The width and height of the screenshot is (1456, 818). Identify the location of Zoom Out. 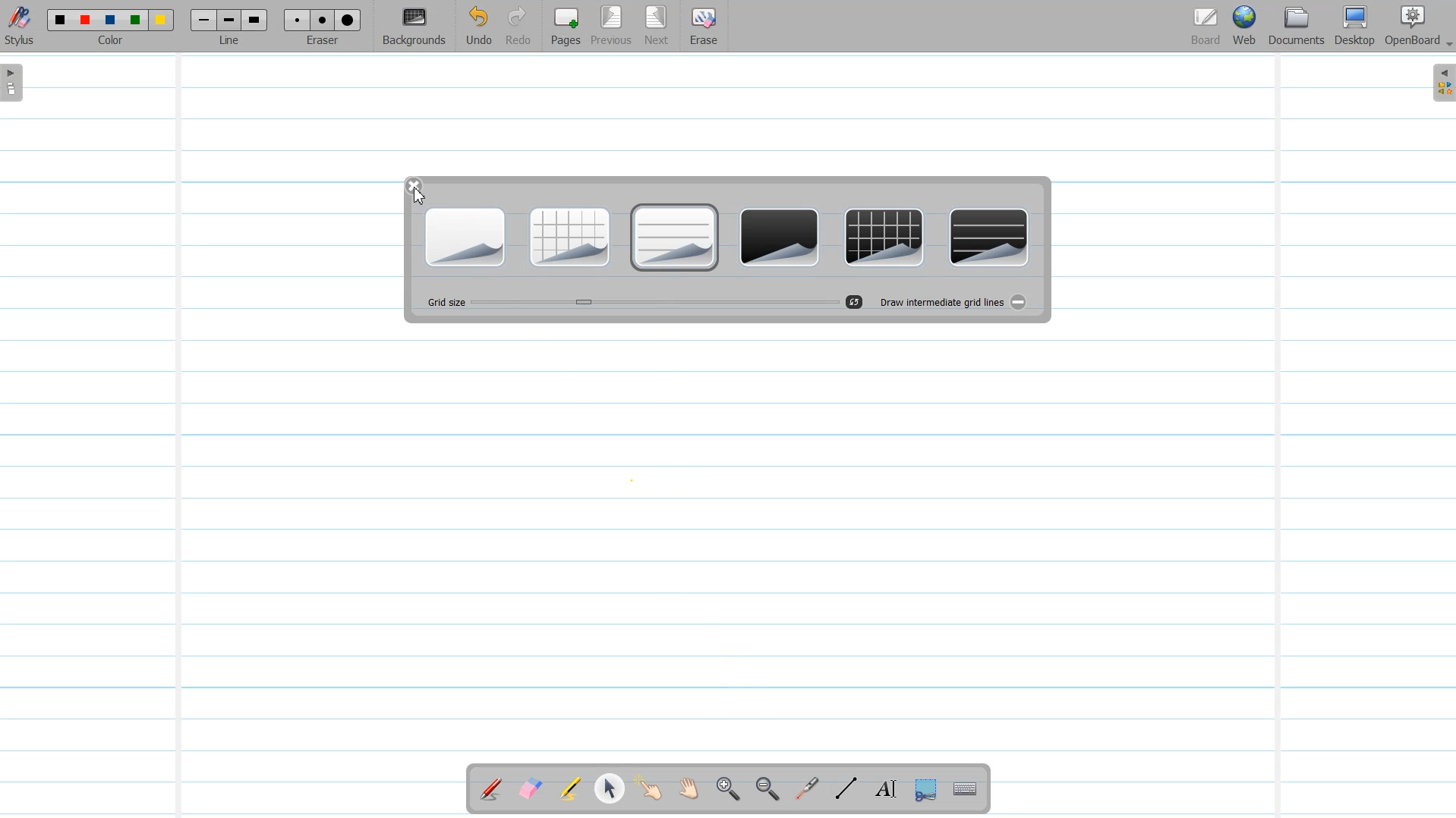
(764, 790).